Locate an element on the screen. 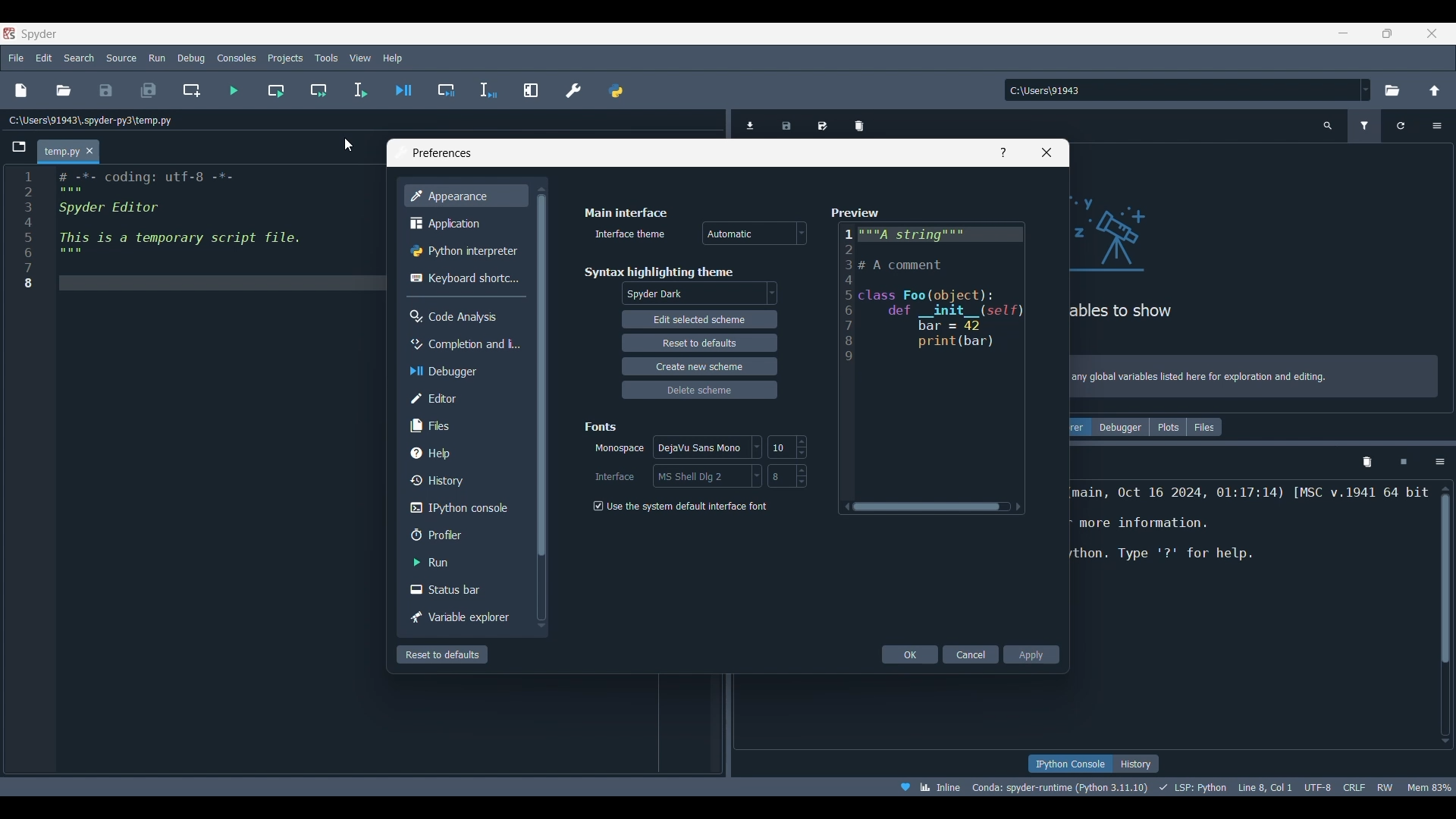 The height and width of the screenshot is (819, 1456). Edit menu is located at coordinates (43, 58).